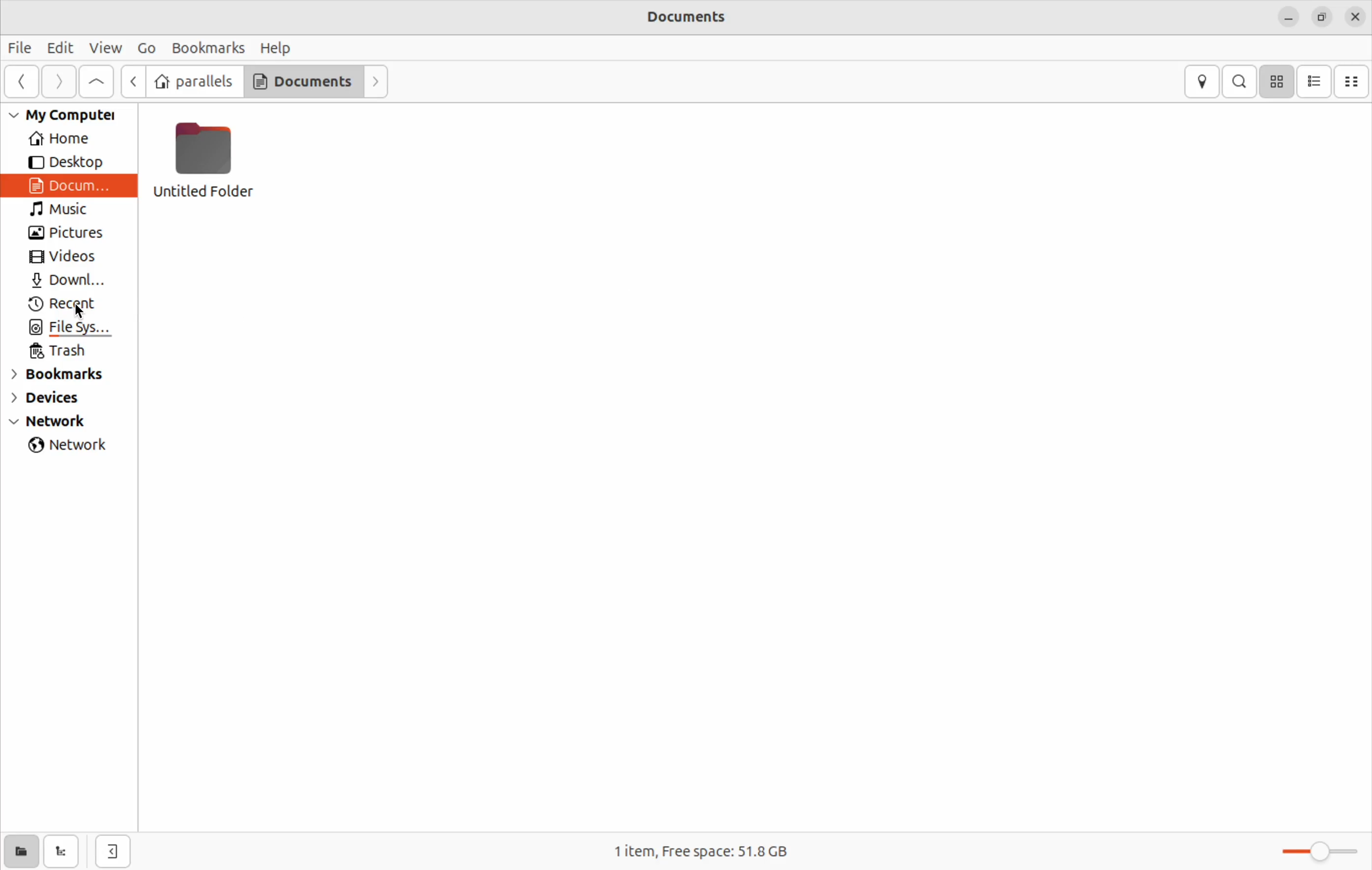  Describe the element at coordinates (21, 852) in the screenshot. I see `show places` at that location.